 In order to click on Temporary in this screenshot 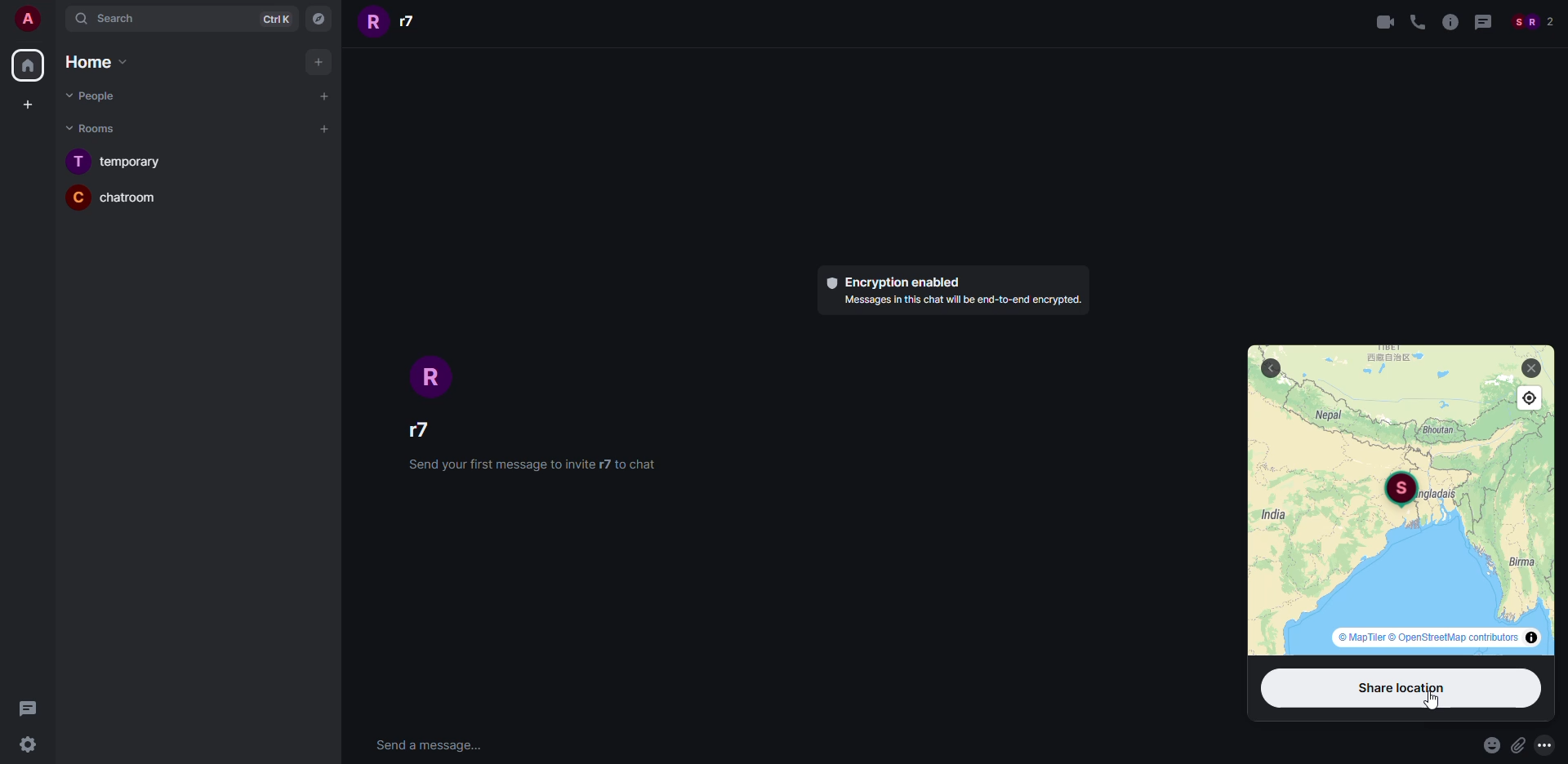, I will do `click(115, 160)`.